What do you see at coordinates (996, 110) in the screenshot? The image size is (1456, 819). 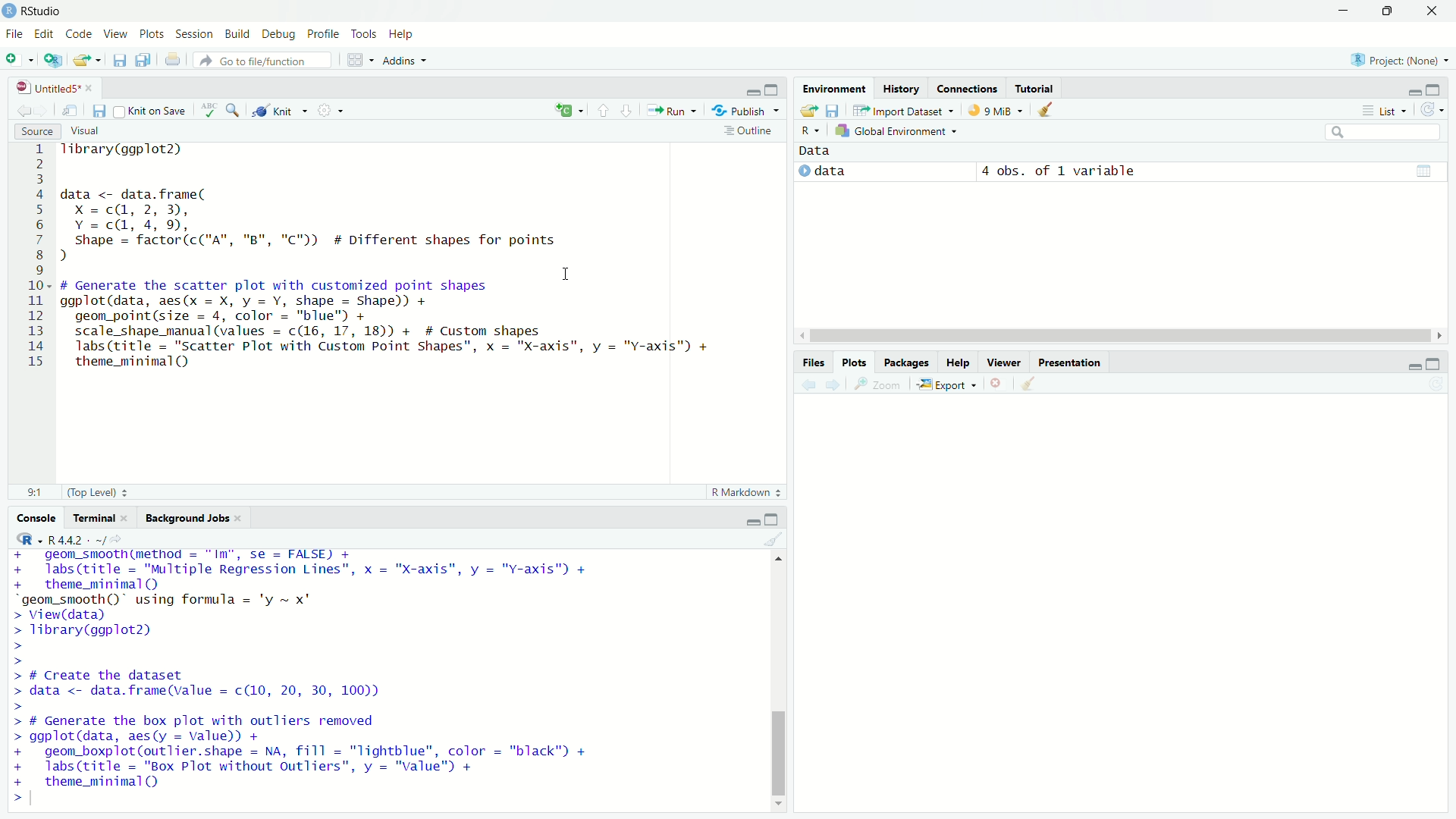 I see `9 MiB` at bounding box center [996, 110].